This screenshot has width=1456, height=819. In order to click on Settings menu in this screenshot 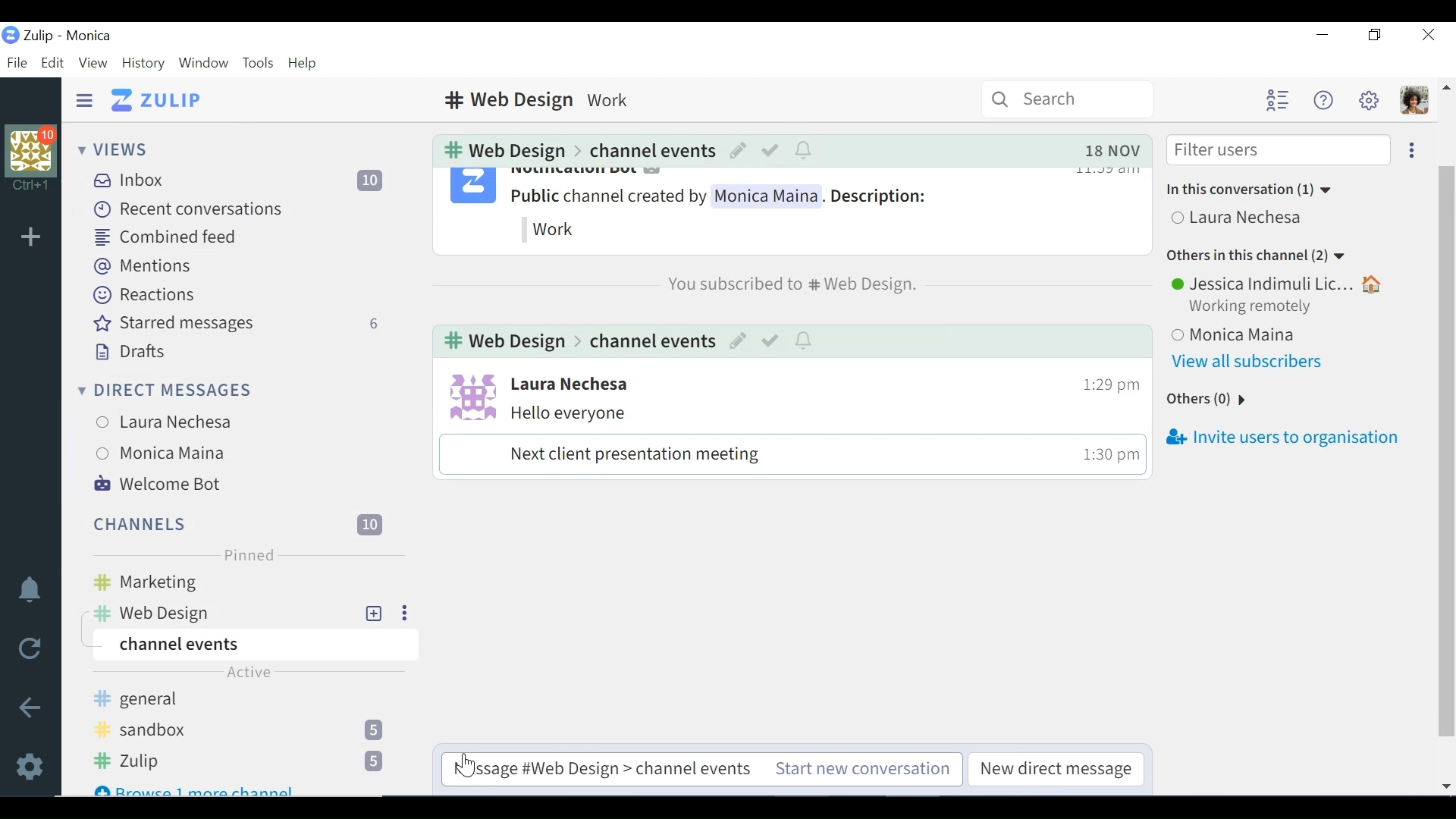, I will do `click(1369, 99)`.